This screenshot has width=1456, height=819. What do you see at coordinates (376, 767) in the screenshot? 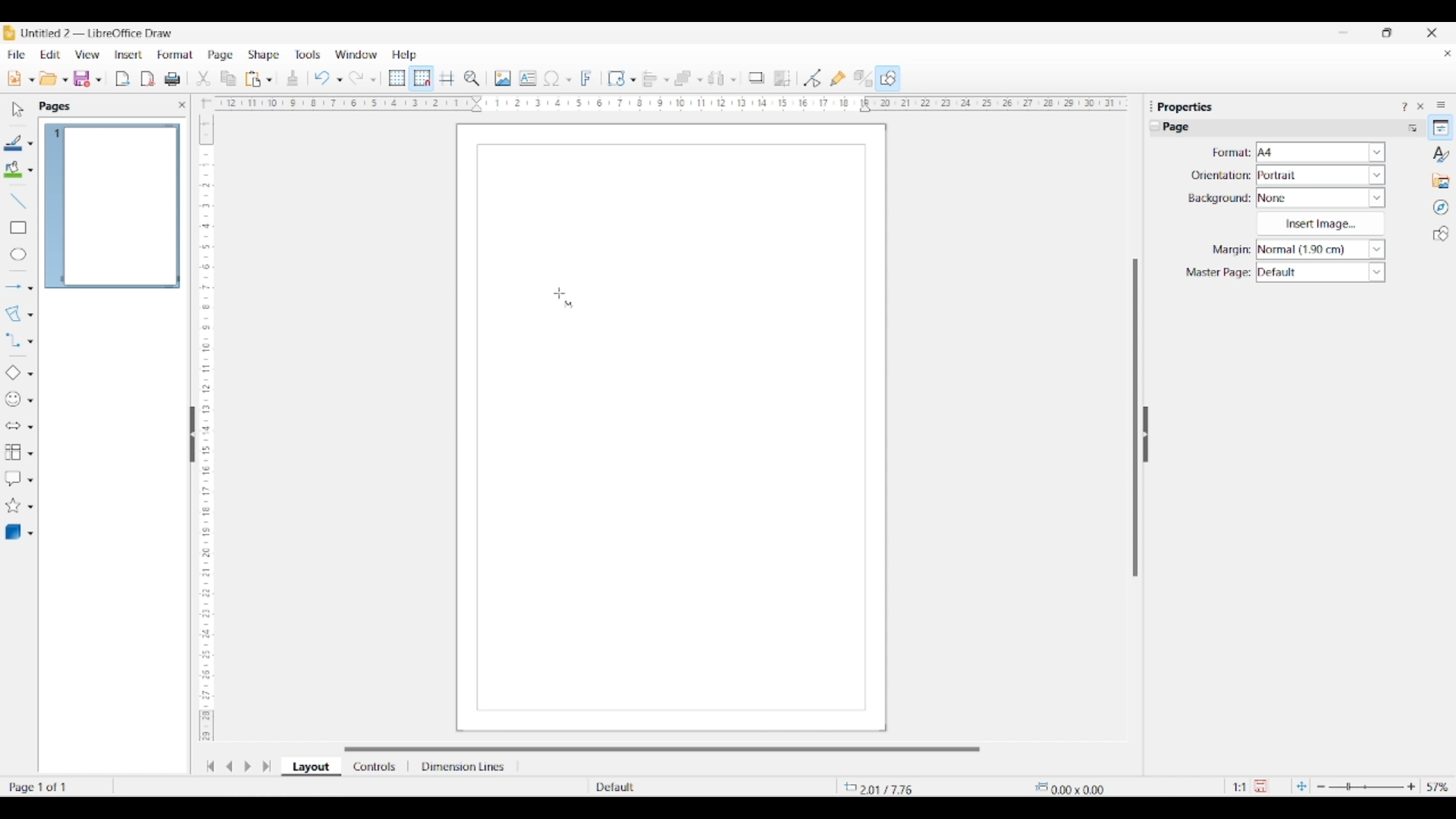
I see `Controls` at bounding box center [376, 767].